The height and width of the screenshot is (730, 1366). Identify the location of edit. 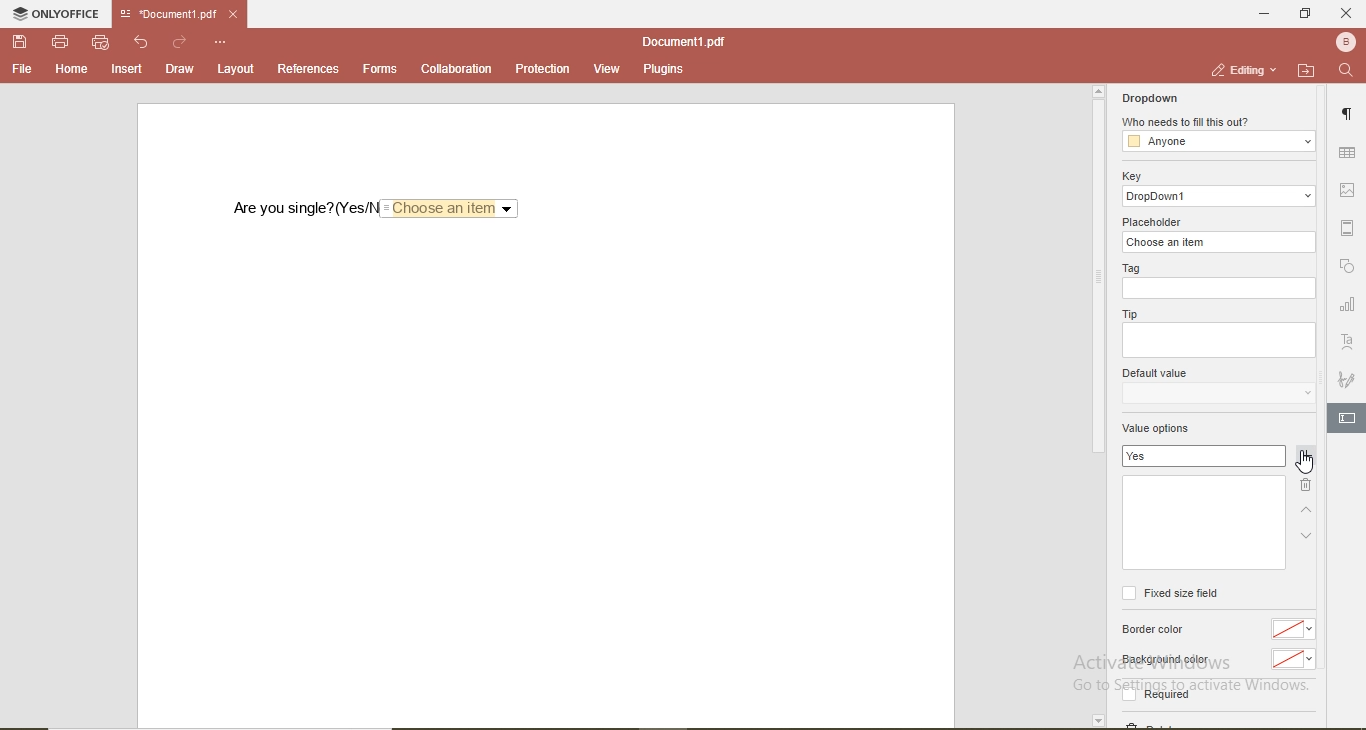
(1346, 417).